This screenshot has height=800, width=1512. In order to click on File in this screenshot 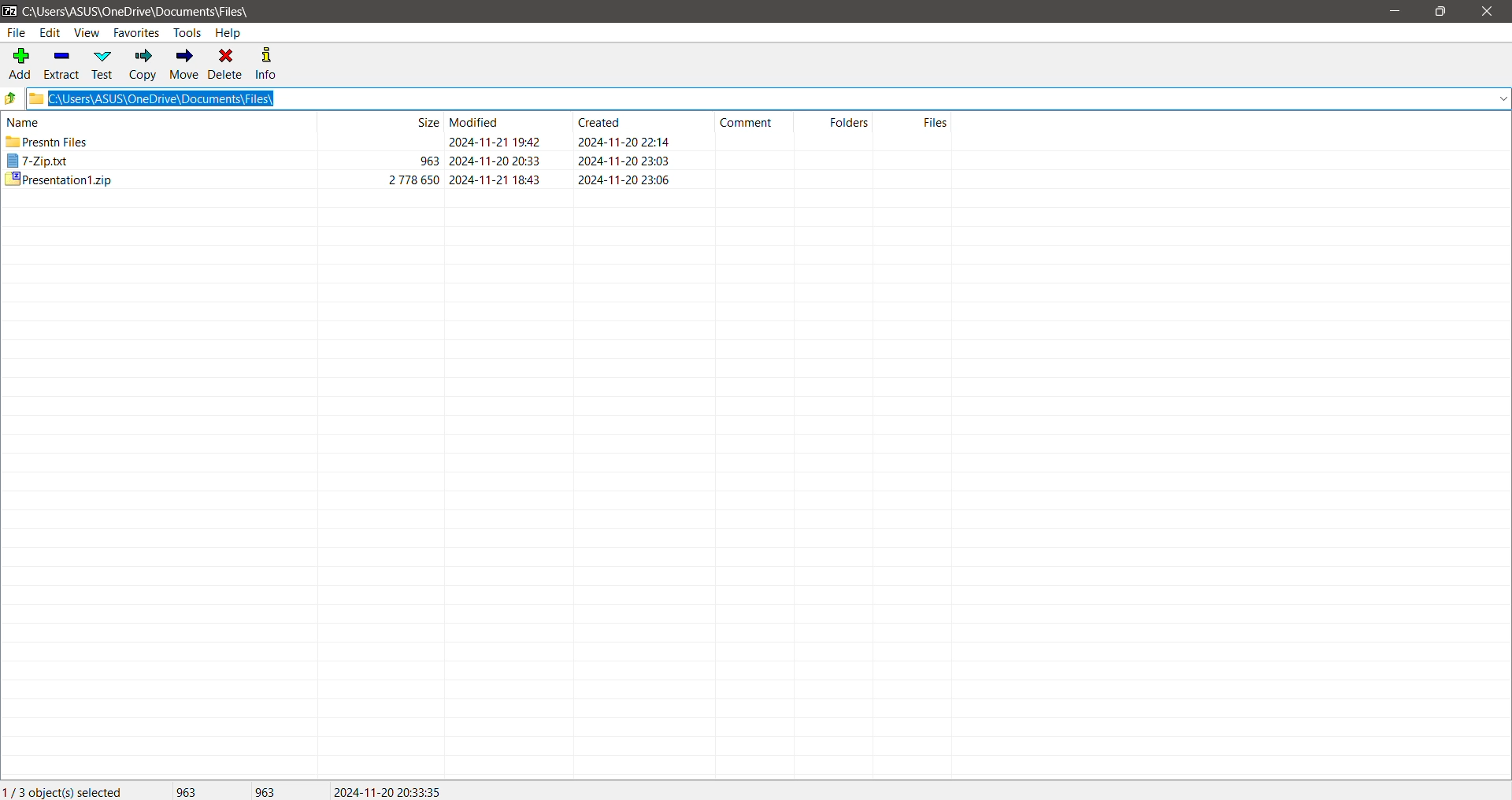, I will do `click(17, 34)`.